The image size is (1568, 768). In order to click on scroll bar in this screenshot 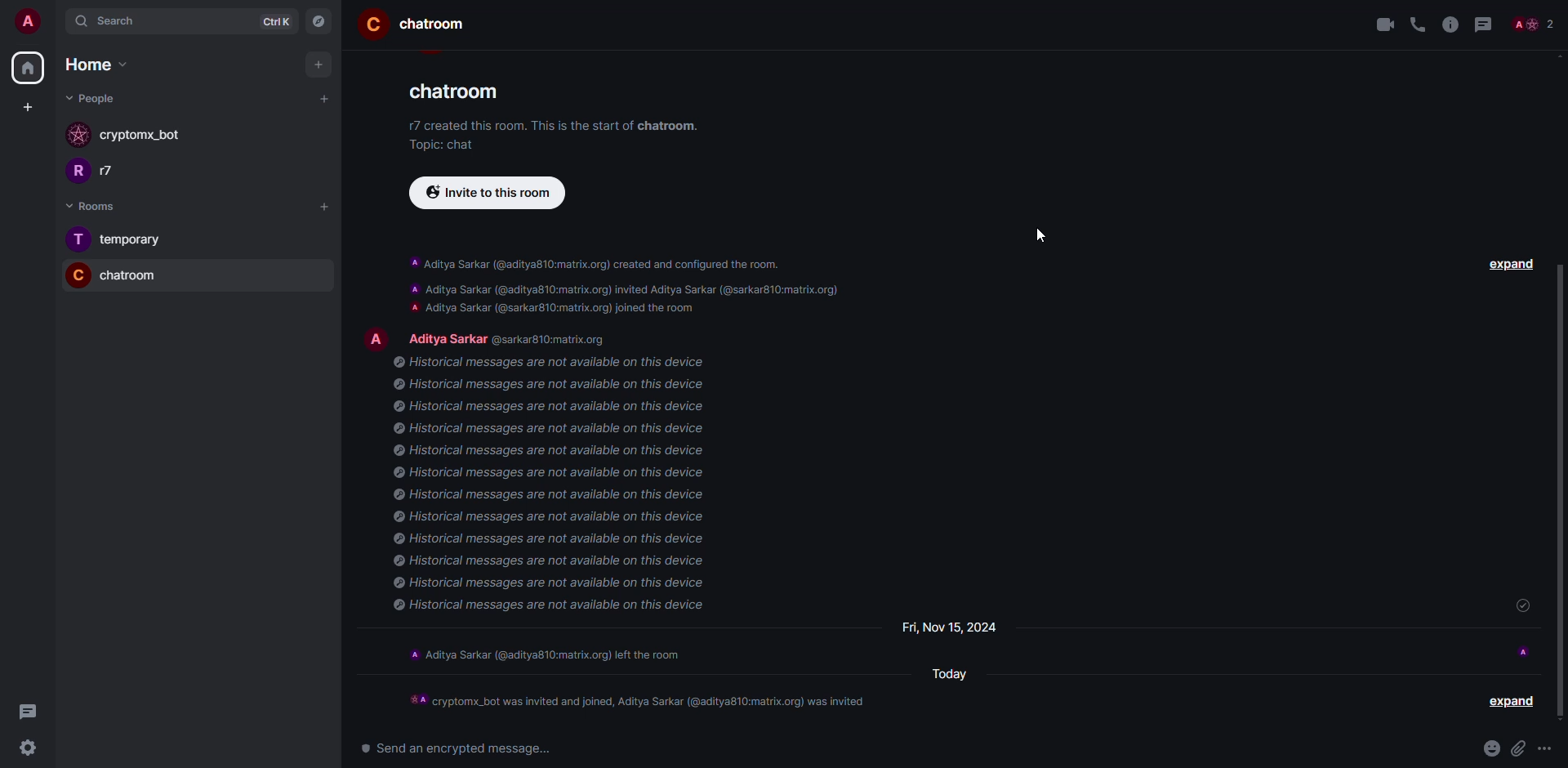, I will do `click(1570, 495)`.